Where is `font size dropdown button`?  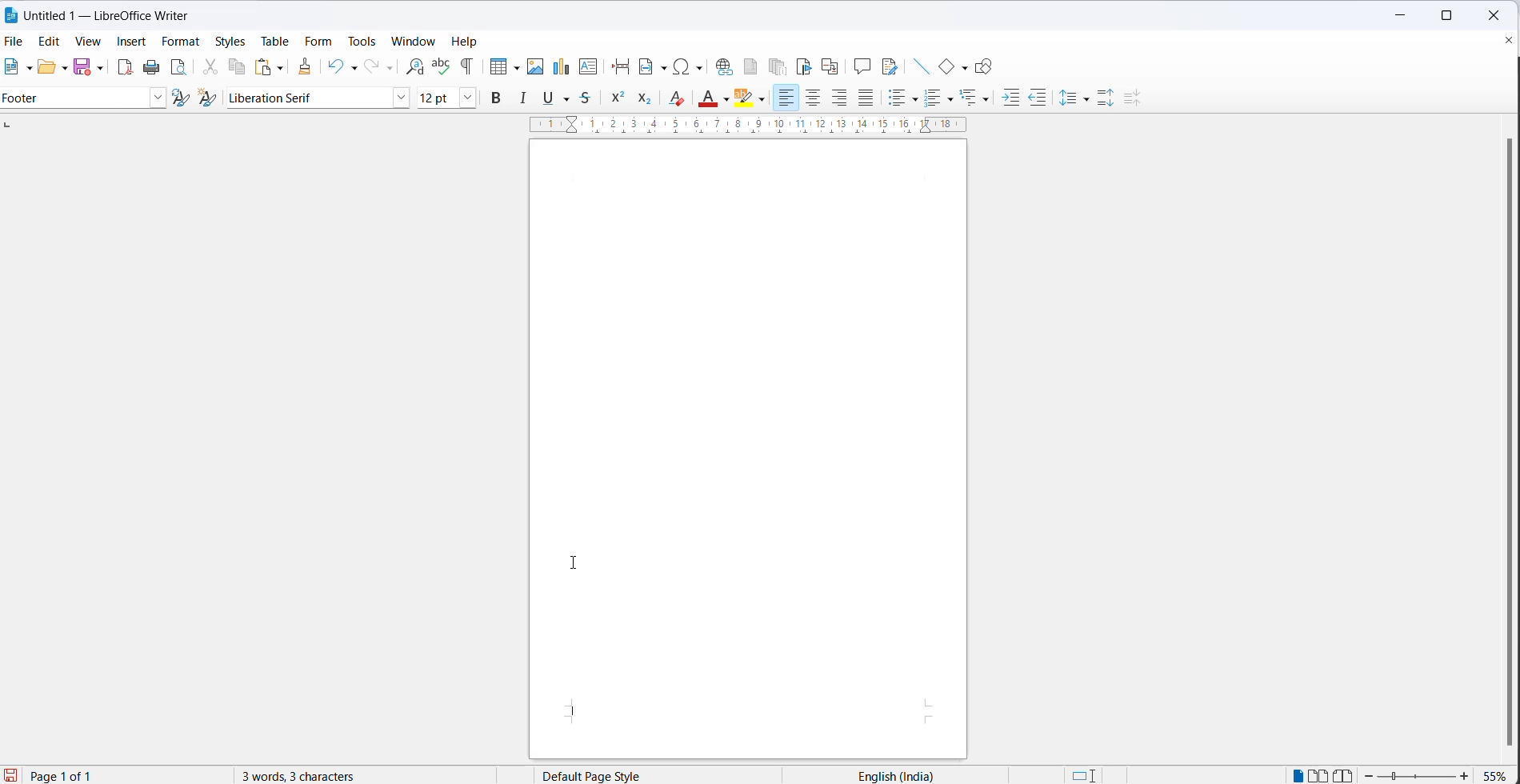 font size dropdown button is located at coordinates (467, 98).